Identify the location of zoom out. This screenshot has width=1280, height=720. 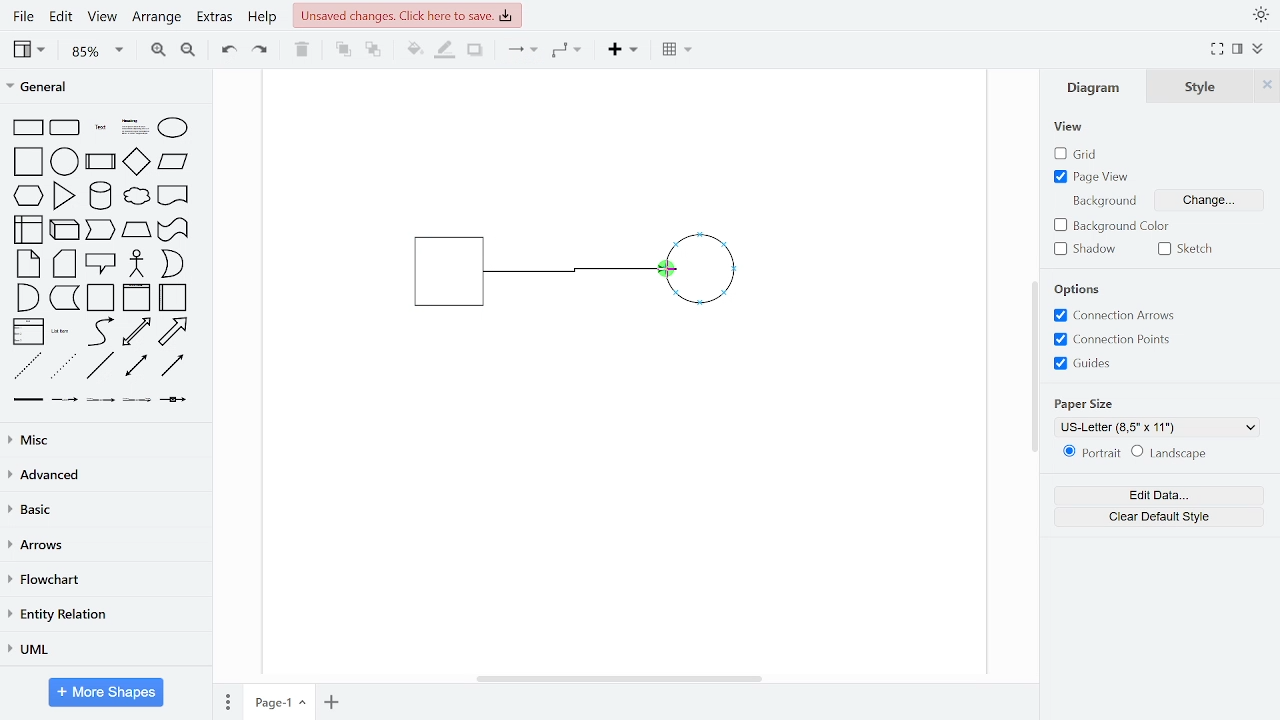
(187, 49).